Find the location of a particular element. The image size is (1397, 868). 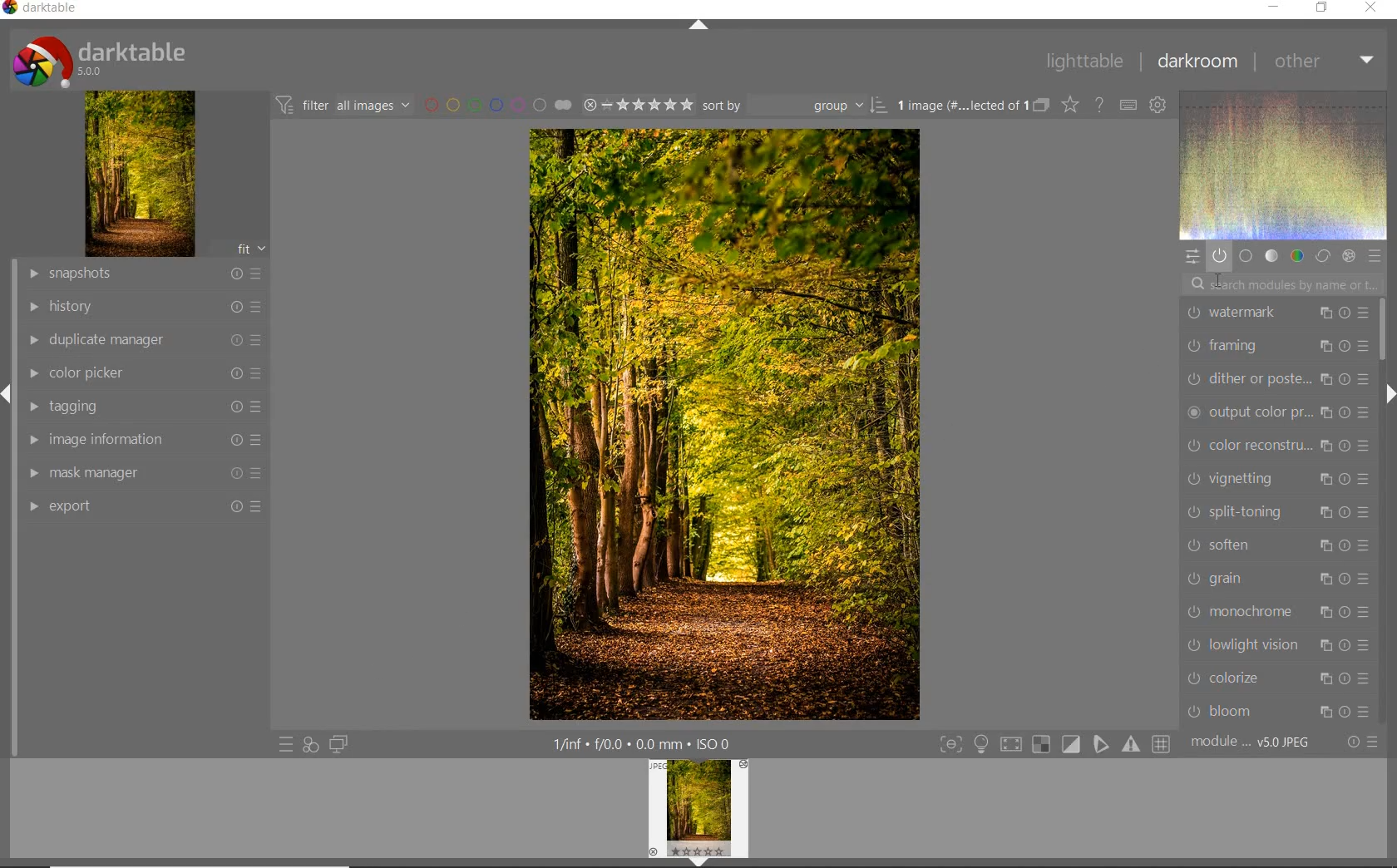

image is located at coordinates (141, 174).